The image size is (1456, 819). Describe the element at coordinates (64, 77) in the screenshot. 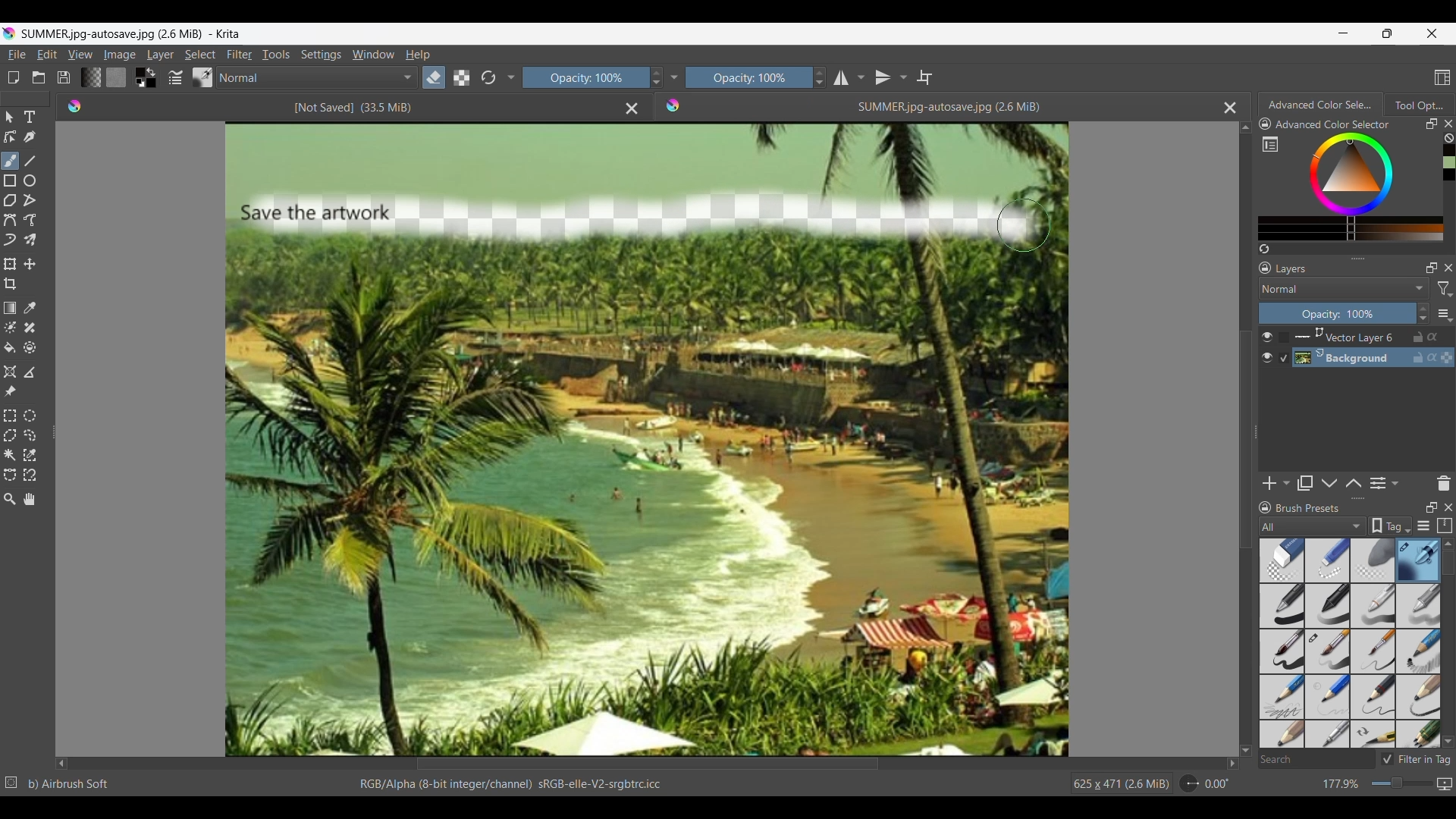

I see `Save` at that location.